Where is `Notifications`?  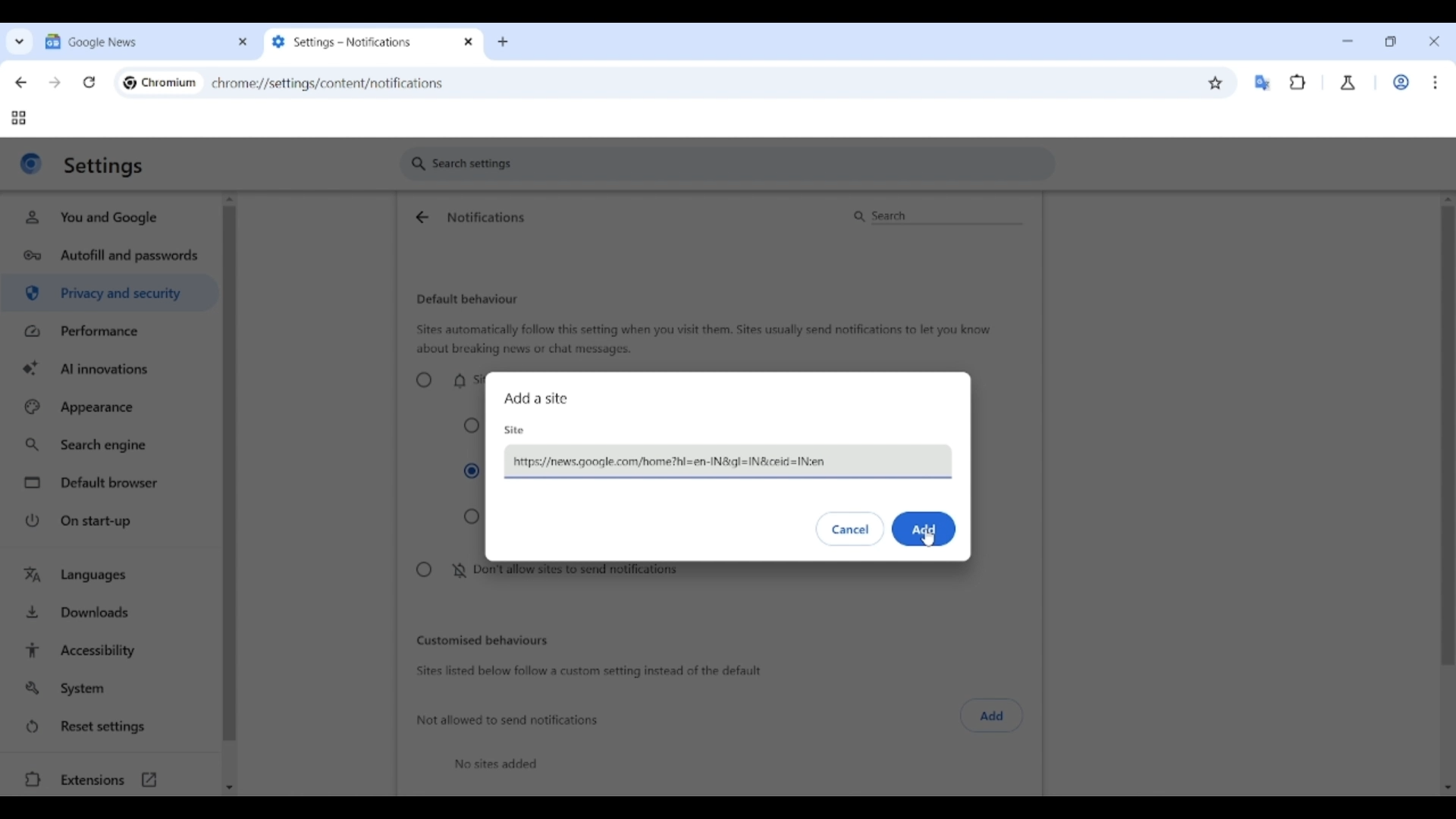
Notifications is located at coordinates (486, 217).